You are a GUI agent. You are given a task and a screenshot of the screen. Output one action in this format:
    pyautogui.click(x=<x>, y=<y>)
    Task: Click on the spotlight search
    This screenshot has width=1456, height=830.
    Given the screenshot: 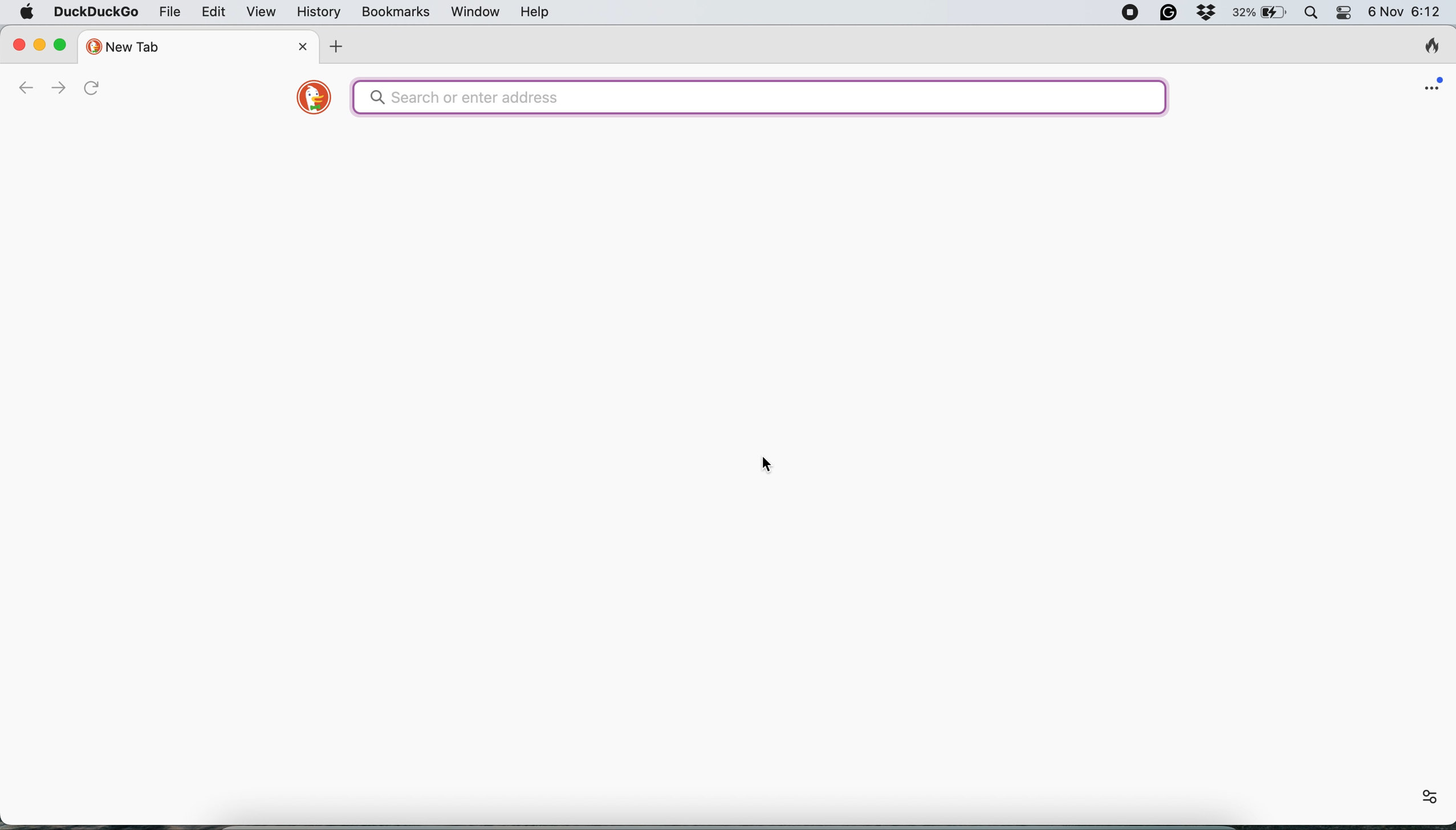 What is the action you would take?
    pyautogui.click(x=1312, y=13)
    